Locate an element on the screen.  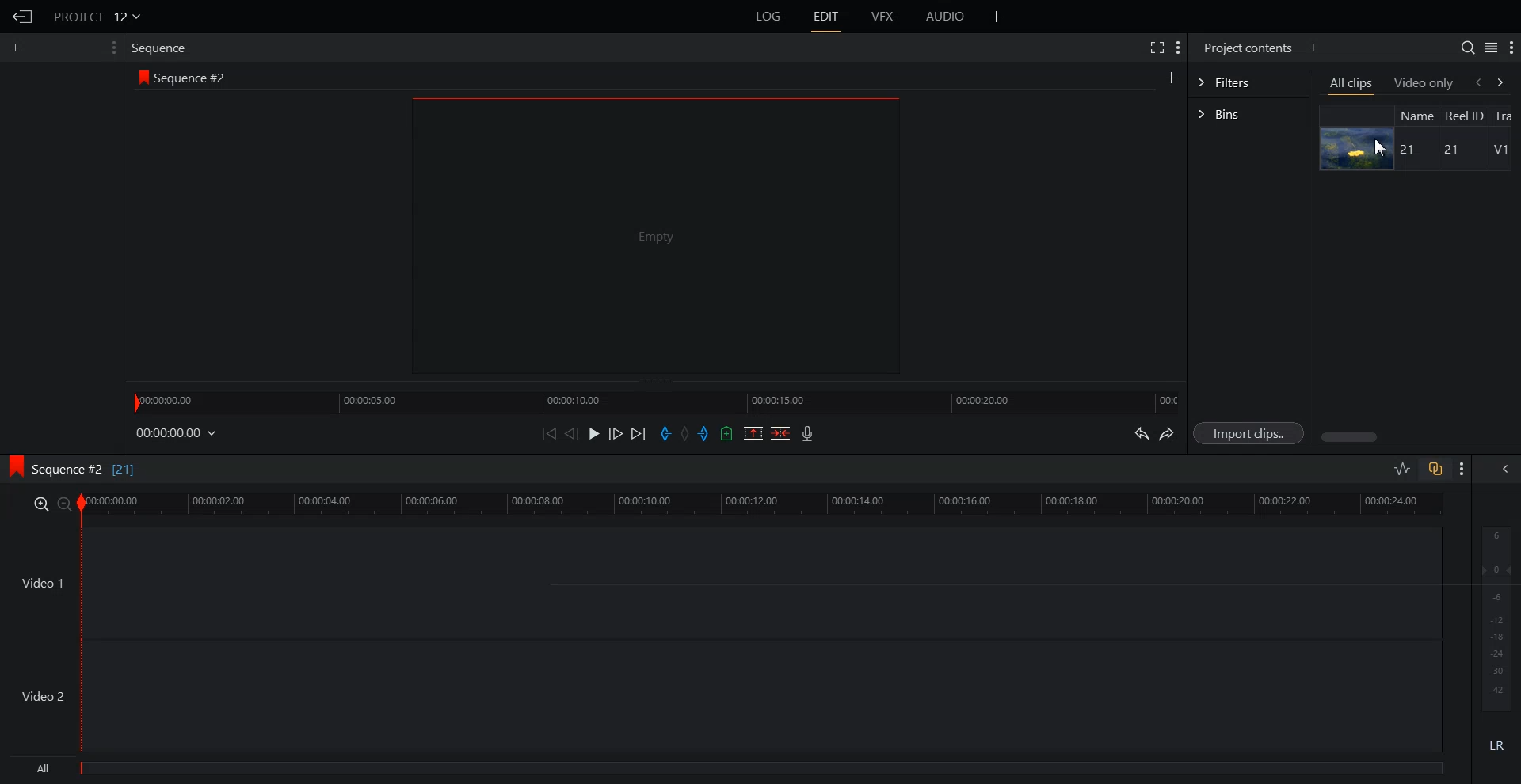
Add Panel is located at coordinates (997, 16).